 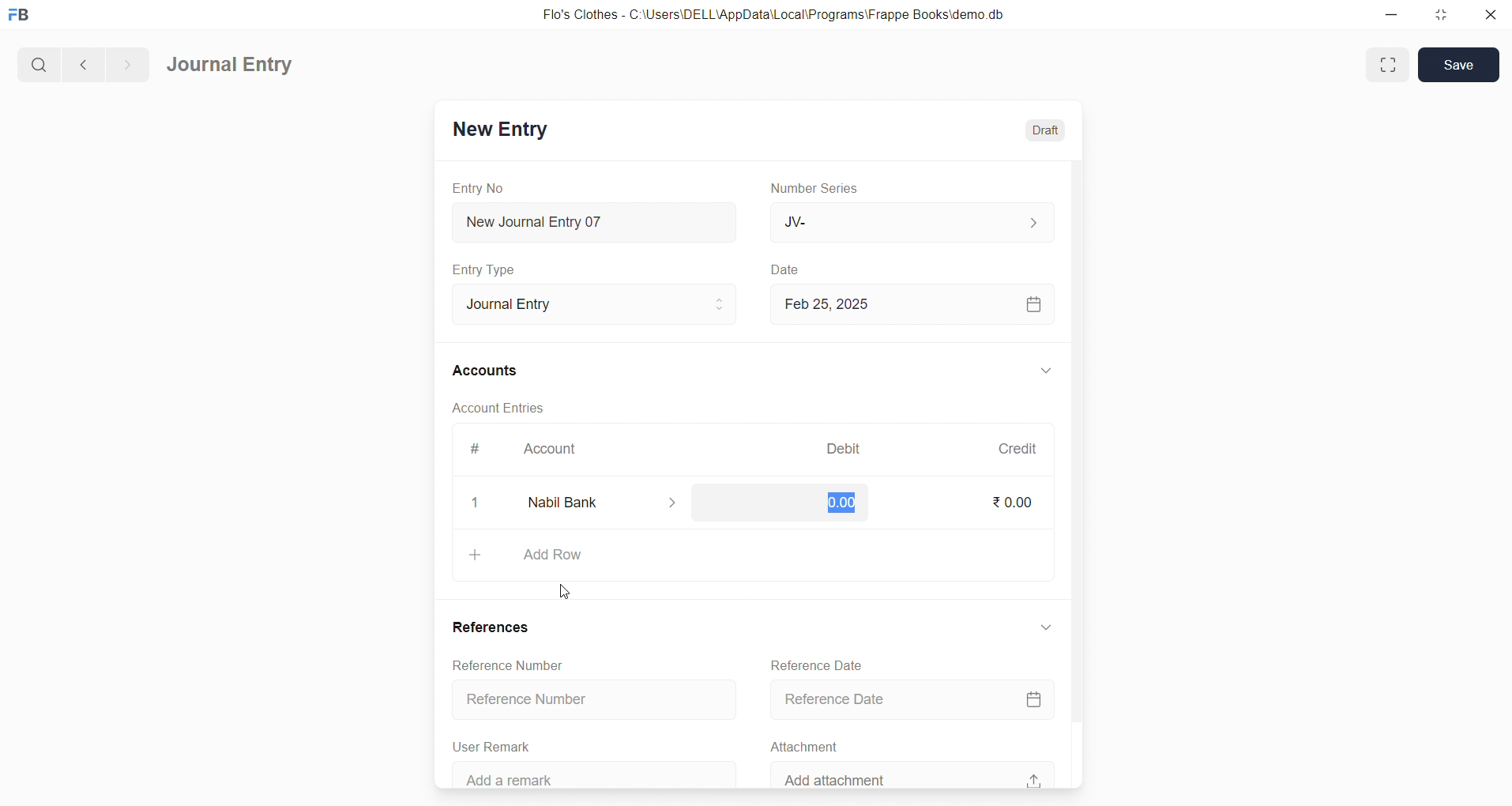 What do you see at coordinates (127, 62) in the screenshot?
I see `navigate forward` at bounding box center [127, 62].